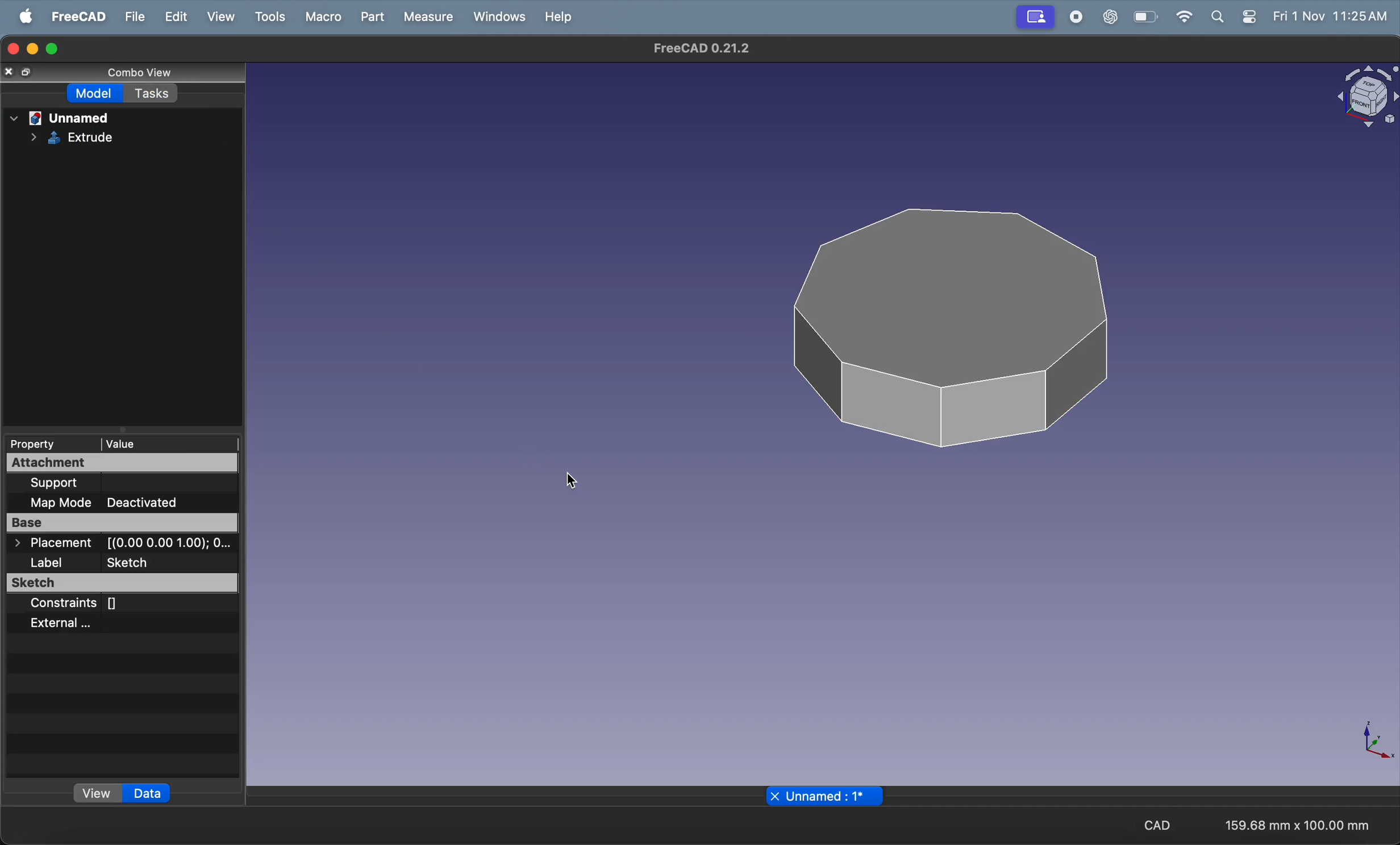 The image size is (1400, 845). What do you see at coordinates (59, 118) in the screenshot?
I see `unnamed` at bounding box center [59, 118].